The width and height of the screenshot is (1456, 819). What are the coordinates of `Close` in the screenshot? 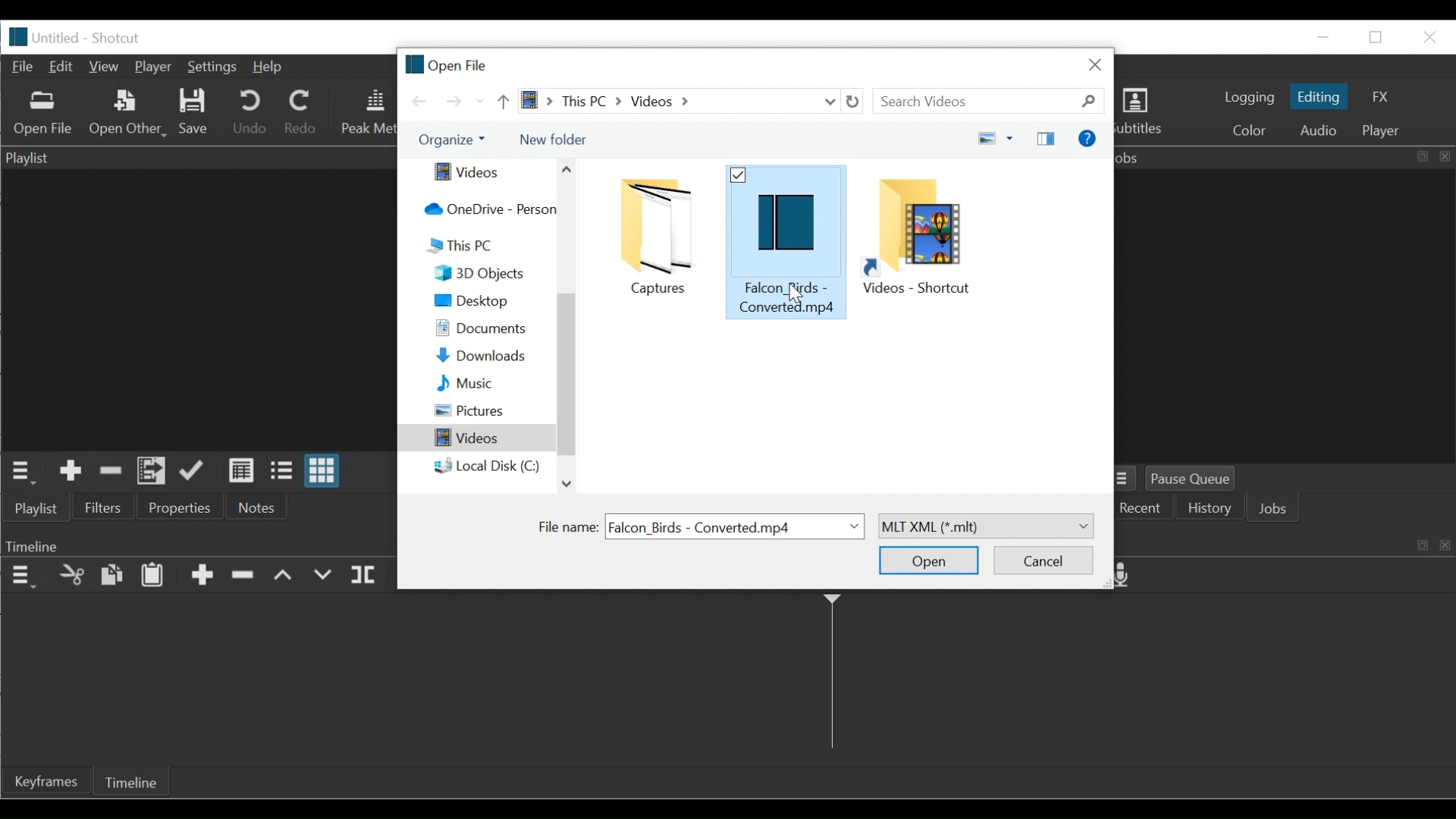 It's located at (1096, 64).